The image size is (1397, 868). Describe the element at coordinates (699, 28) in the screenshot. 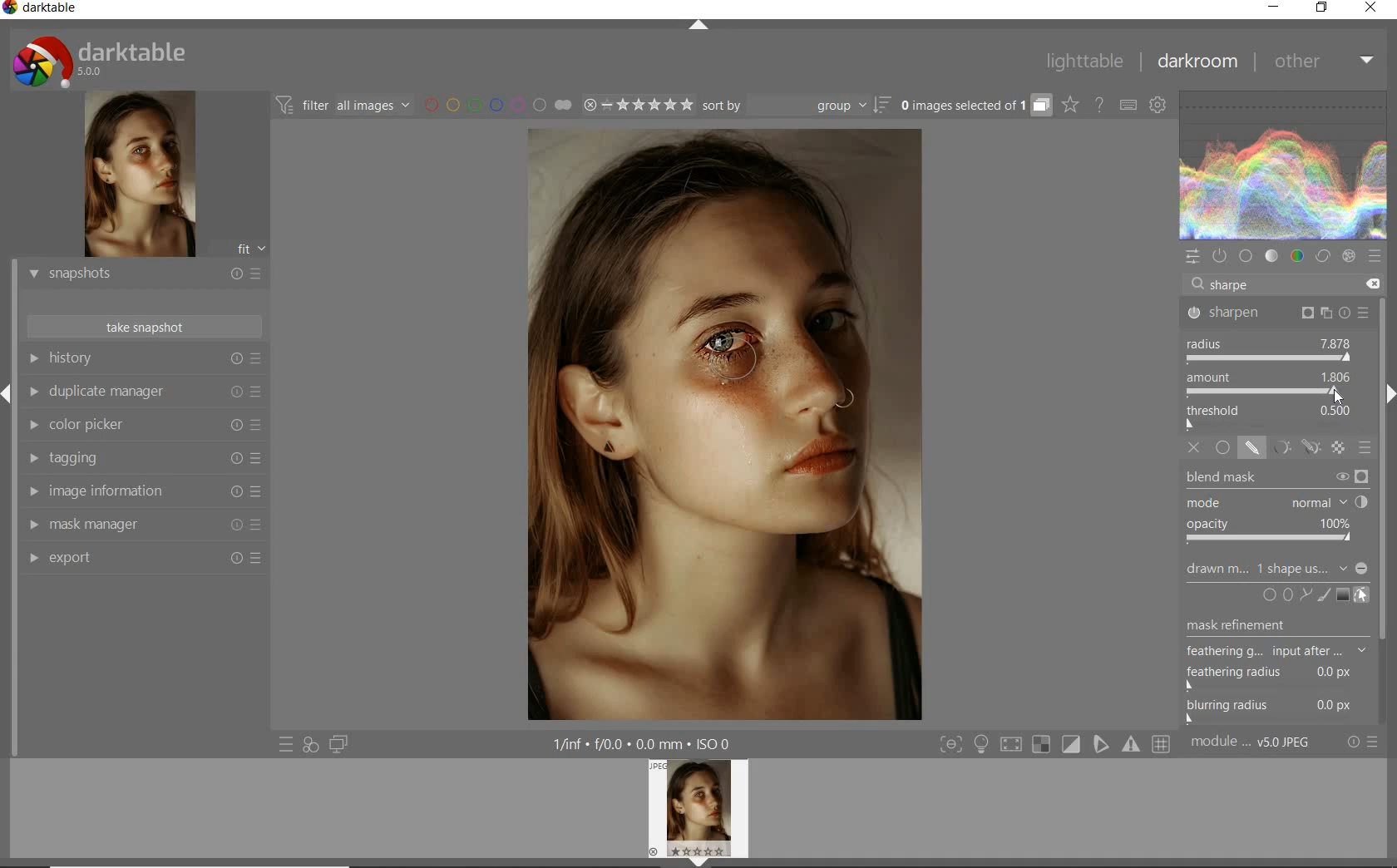

I see `expand/collapse` at that location.